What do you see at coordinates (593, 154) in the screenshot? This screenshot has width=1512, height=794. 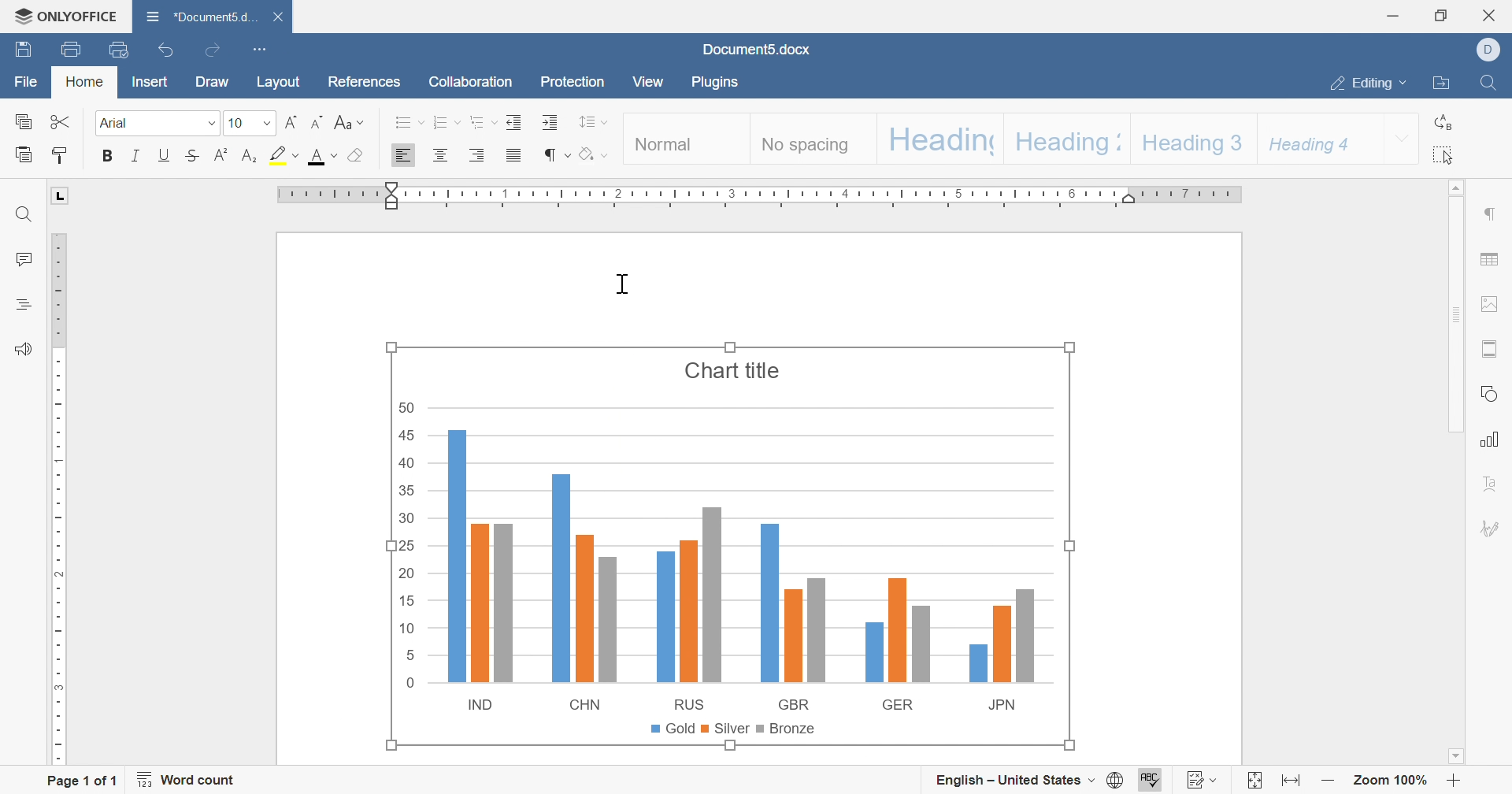 I see `shading` at bounding box center [593, 154].